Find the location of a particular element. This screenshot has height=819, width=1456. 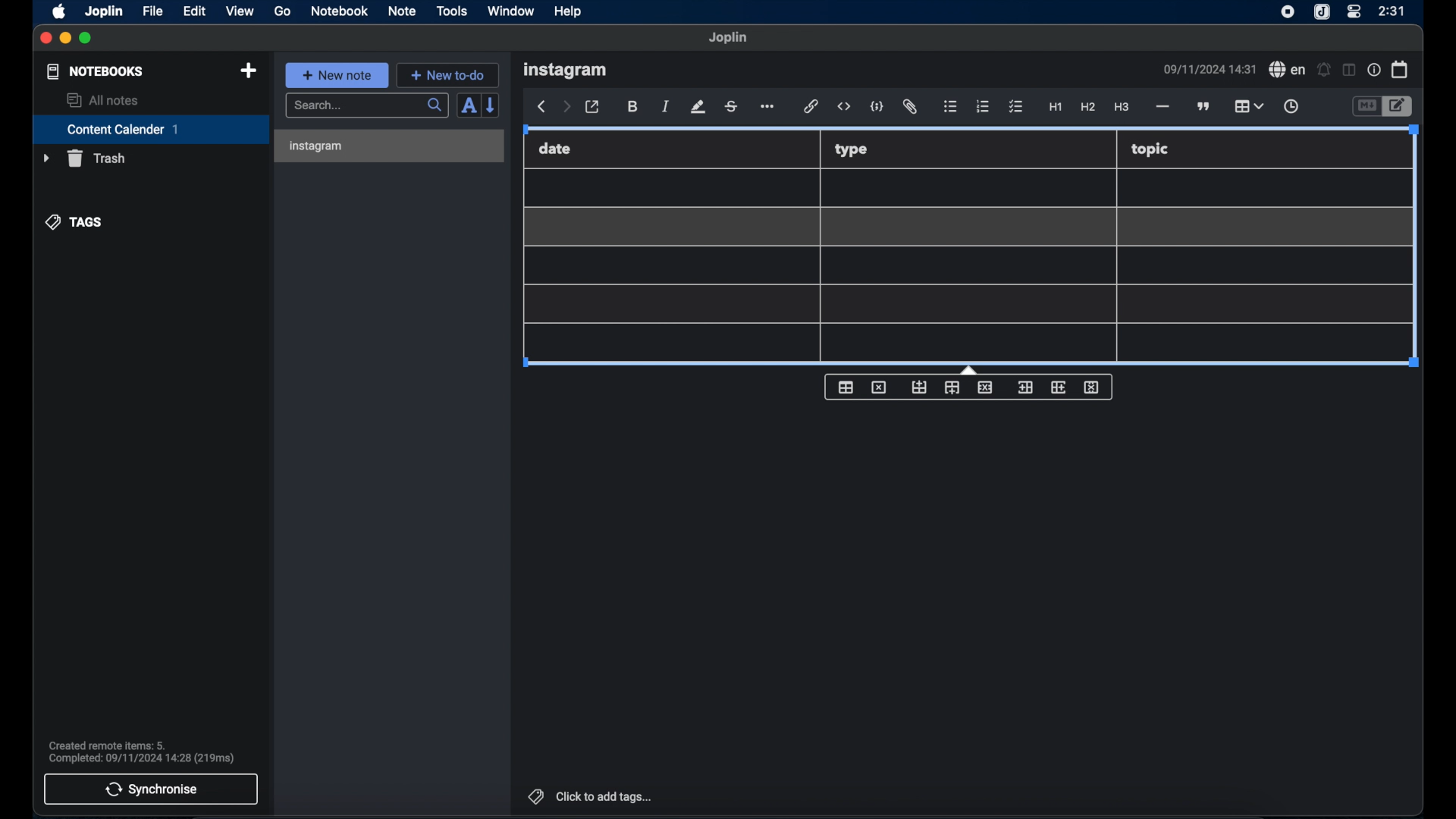

Created remote items: 5.
‘Completed: 09/11/2024 14:28 (219ms) is located at coordinates (143, 749).